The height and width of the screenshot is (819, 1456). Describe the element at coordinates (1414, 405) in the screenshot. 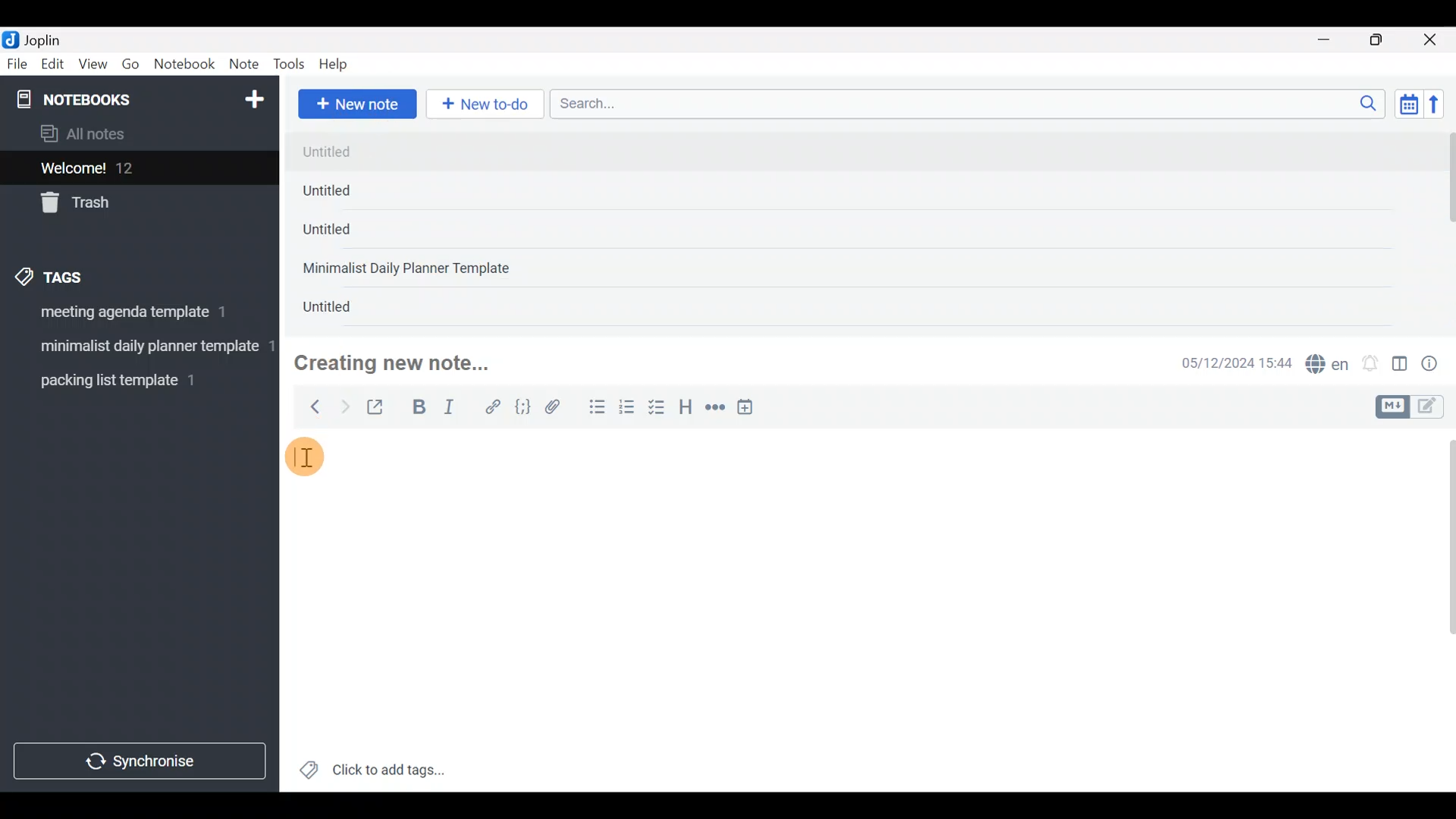

I see `Toggle editors` at that location.